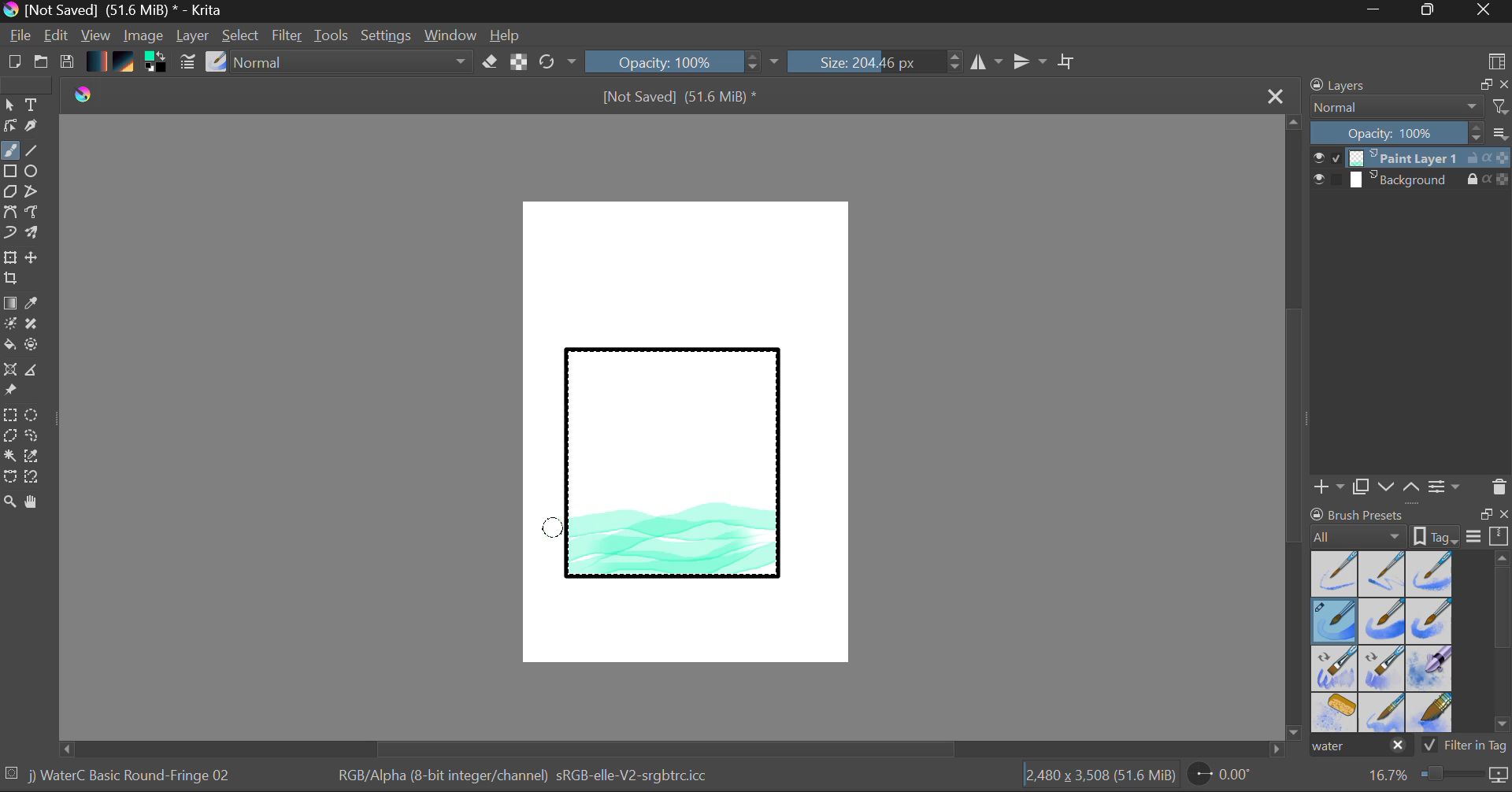 The height and width of the screenshot is (792, 1512). Describe the element at coordinates (289, 38) in the screenshot. I see `Filter` at that location.